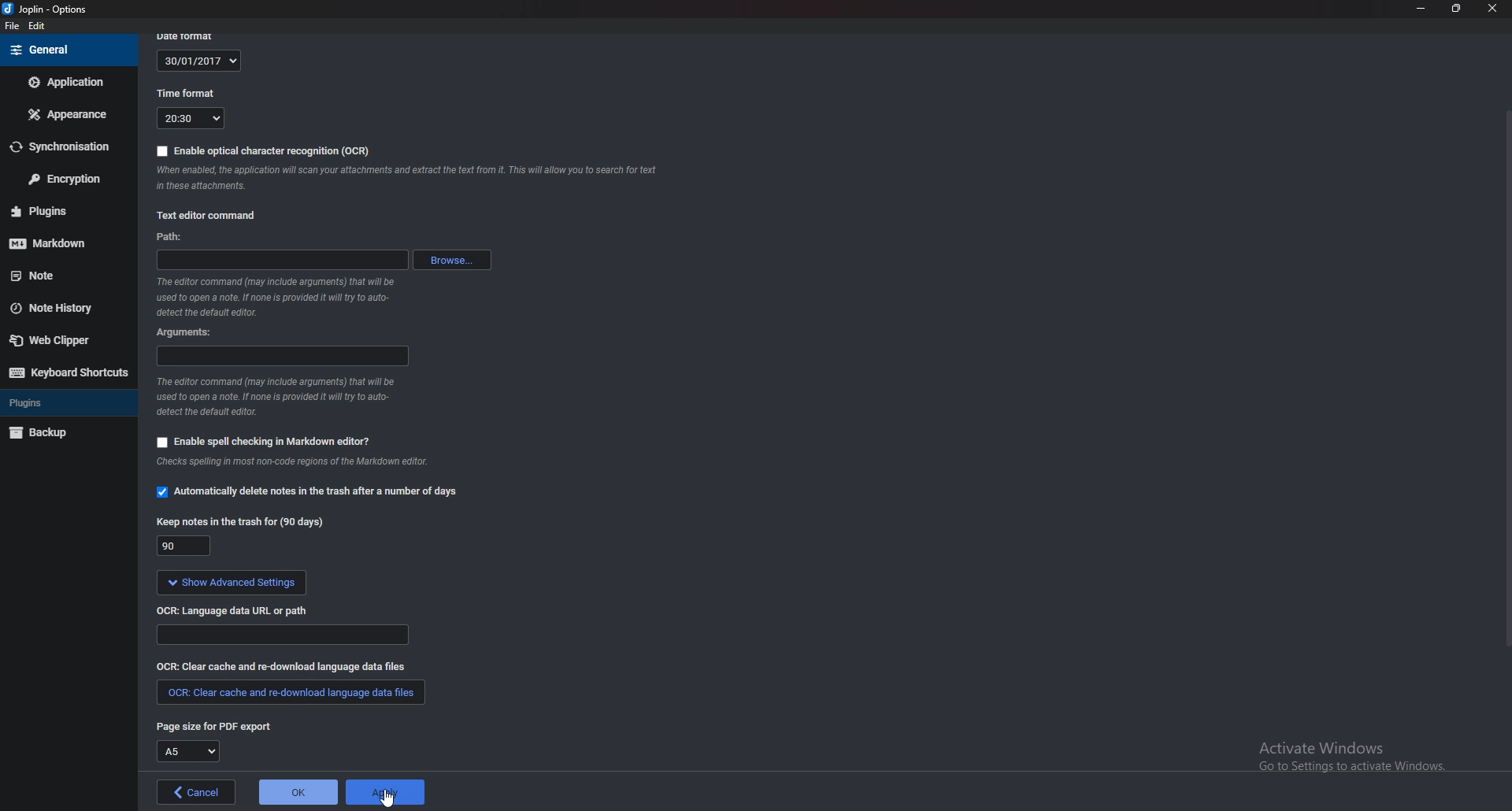 The height and width of the screenshot is (811, 1512). What do you see at coordinates (181, 546) in the screenshot?
I see `90 days` at bounding box center [181, 546].